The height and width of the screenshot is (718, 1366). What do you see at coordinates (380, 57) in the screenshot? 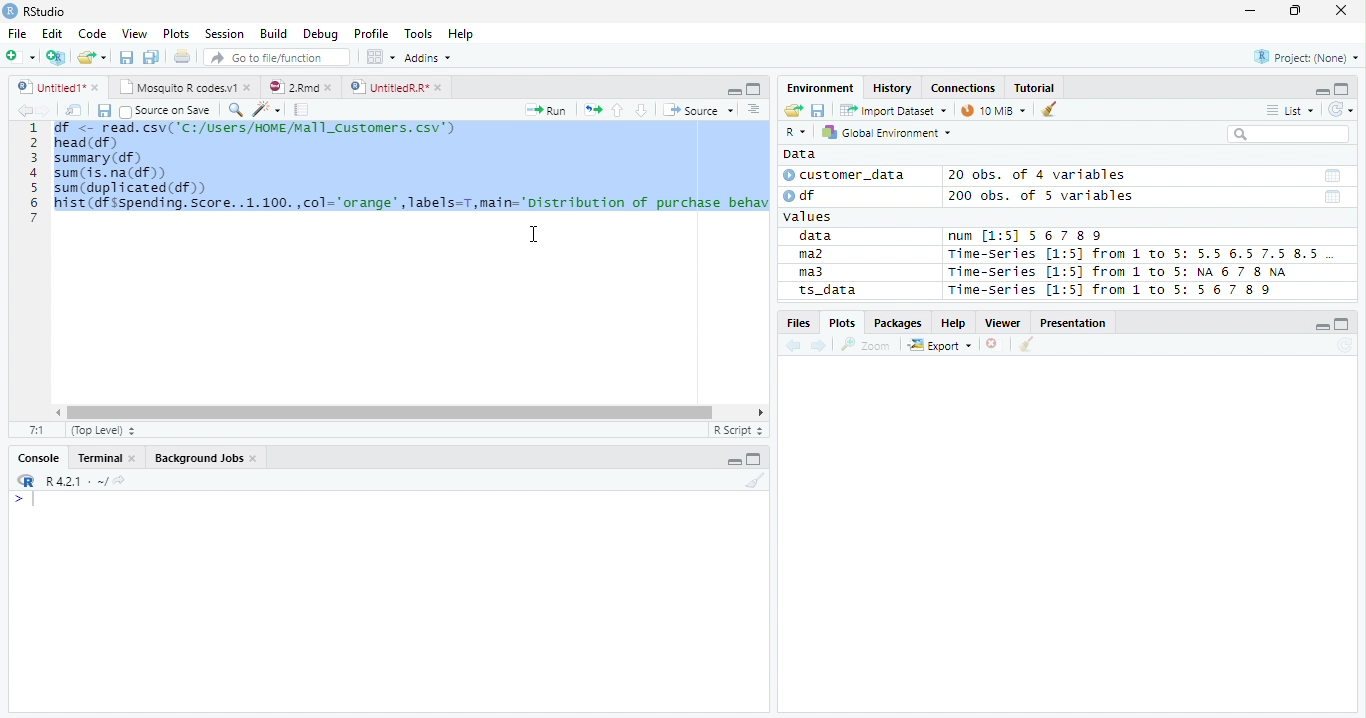
I see `Workplace panes` at bounding box center [380, 57].